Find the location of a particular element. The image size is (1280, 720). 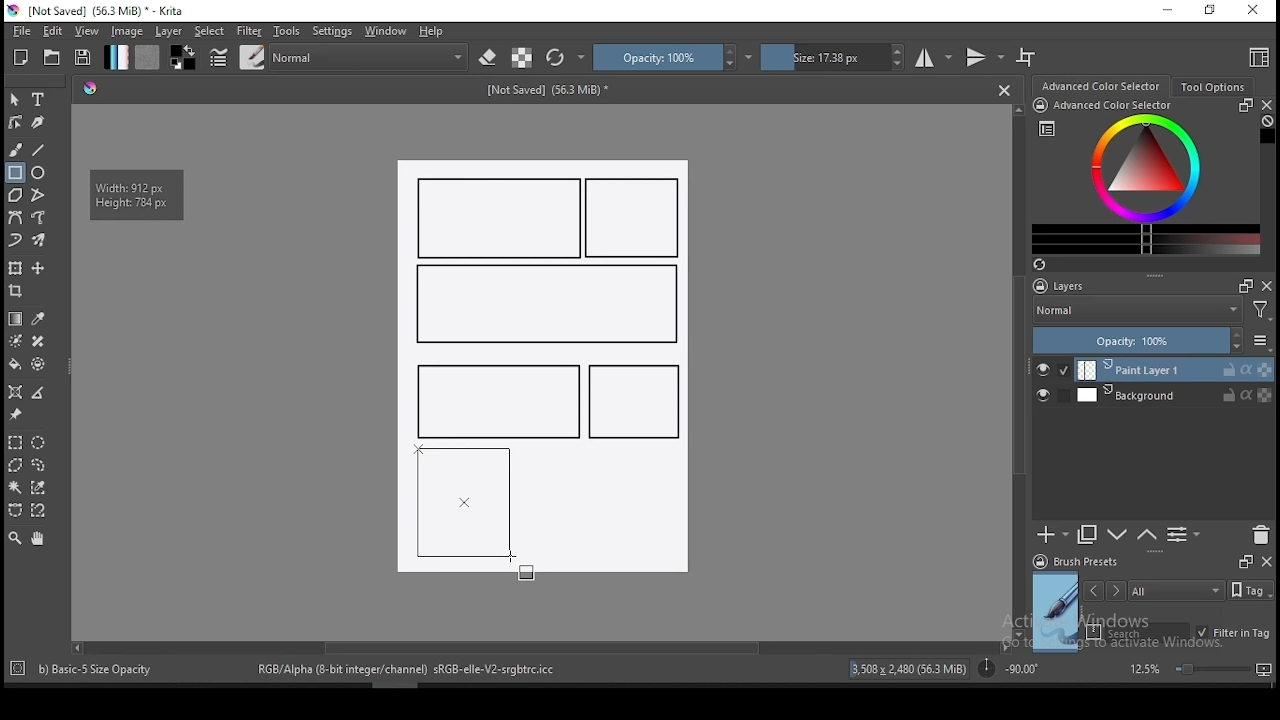

calligraphy is located at coordinates (39, 121).